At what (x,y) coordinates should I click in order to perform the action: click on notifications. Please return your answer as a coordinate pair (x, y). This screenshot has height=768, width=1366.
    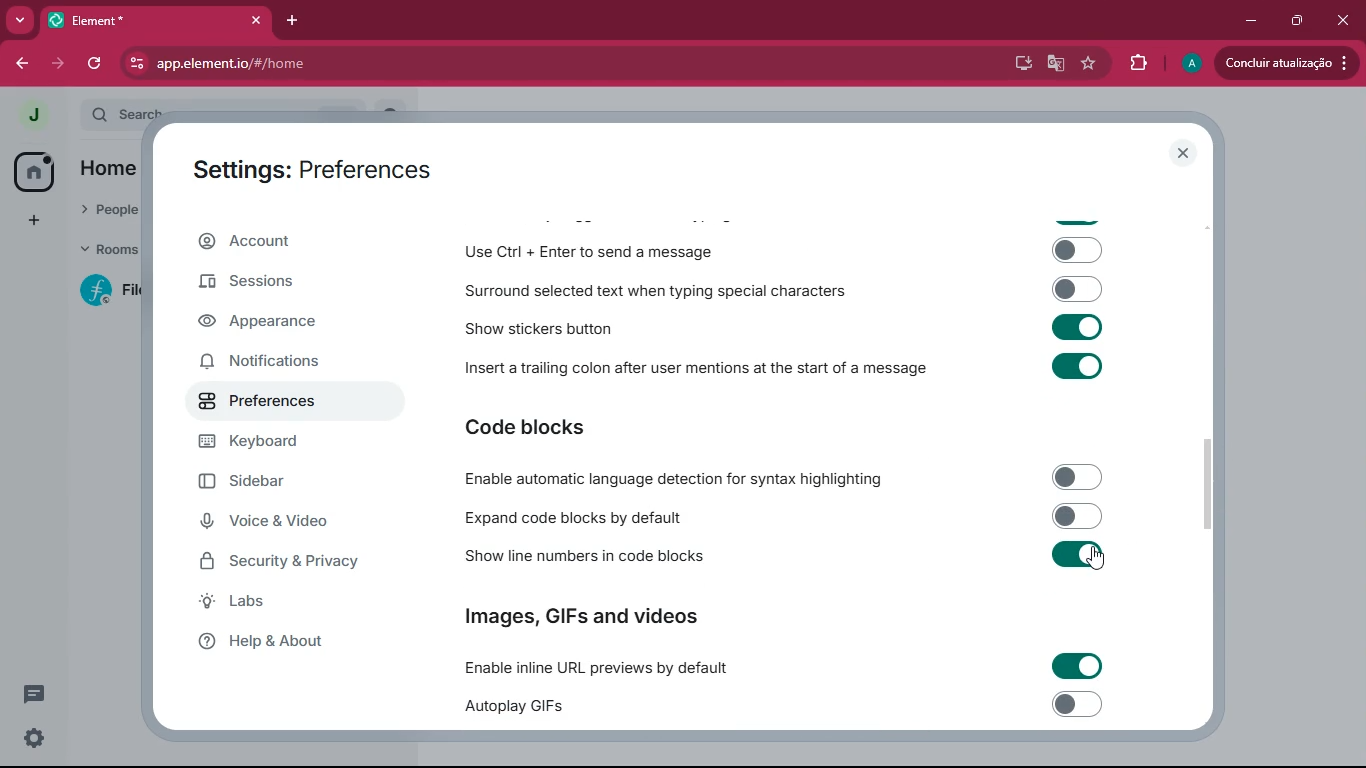
    Looking at the image, I should click on (276, 363).